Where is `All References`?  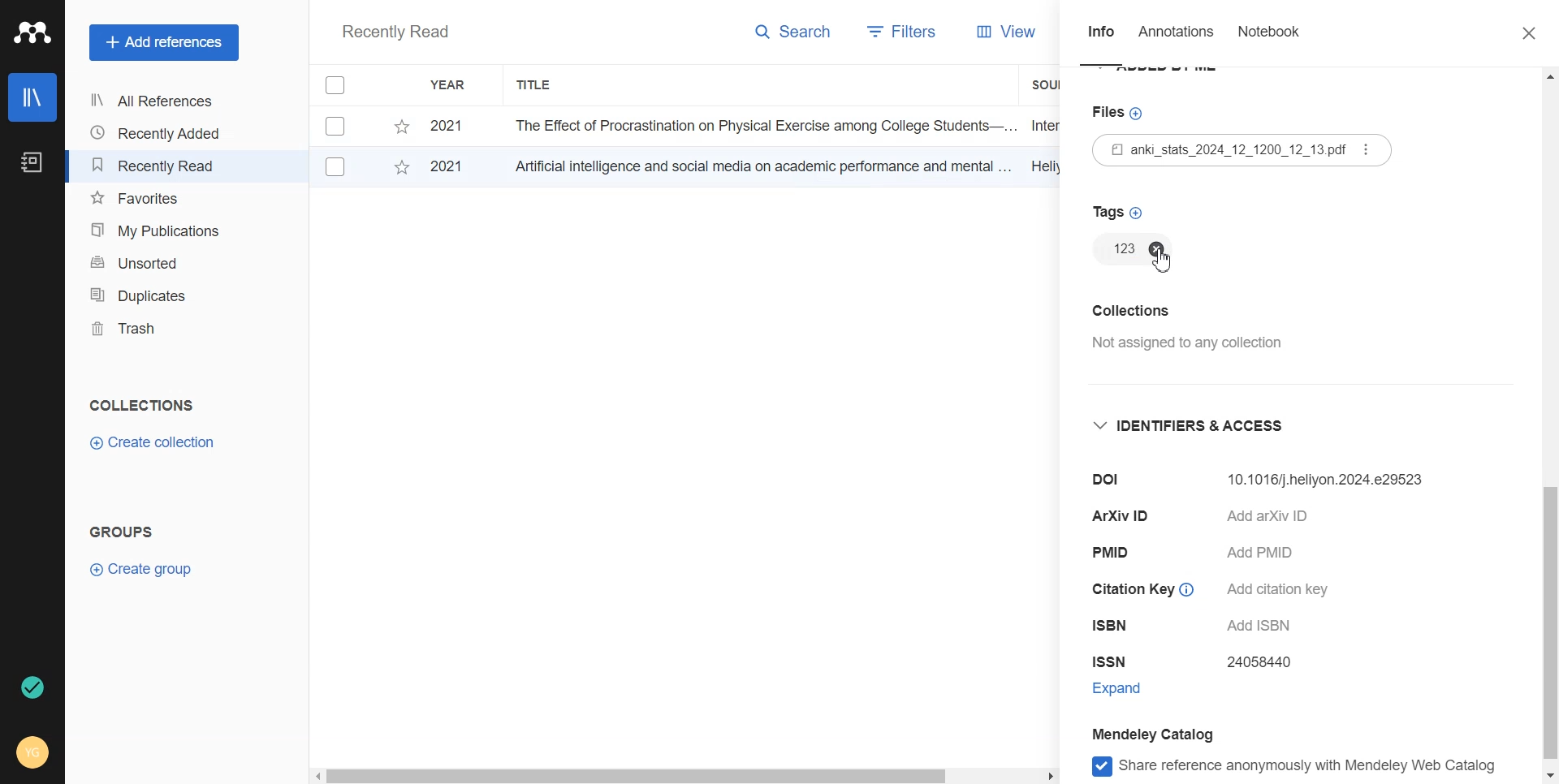
All References is located at coordinates (158, 101).